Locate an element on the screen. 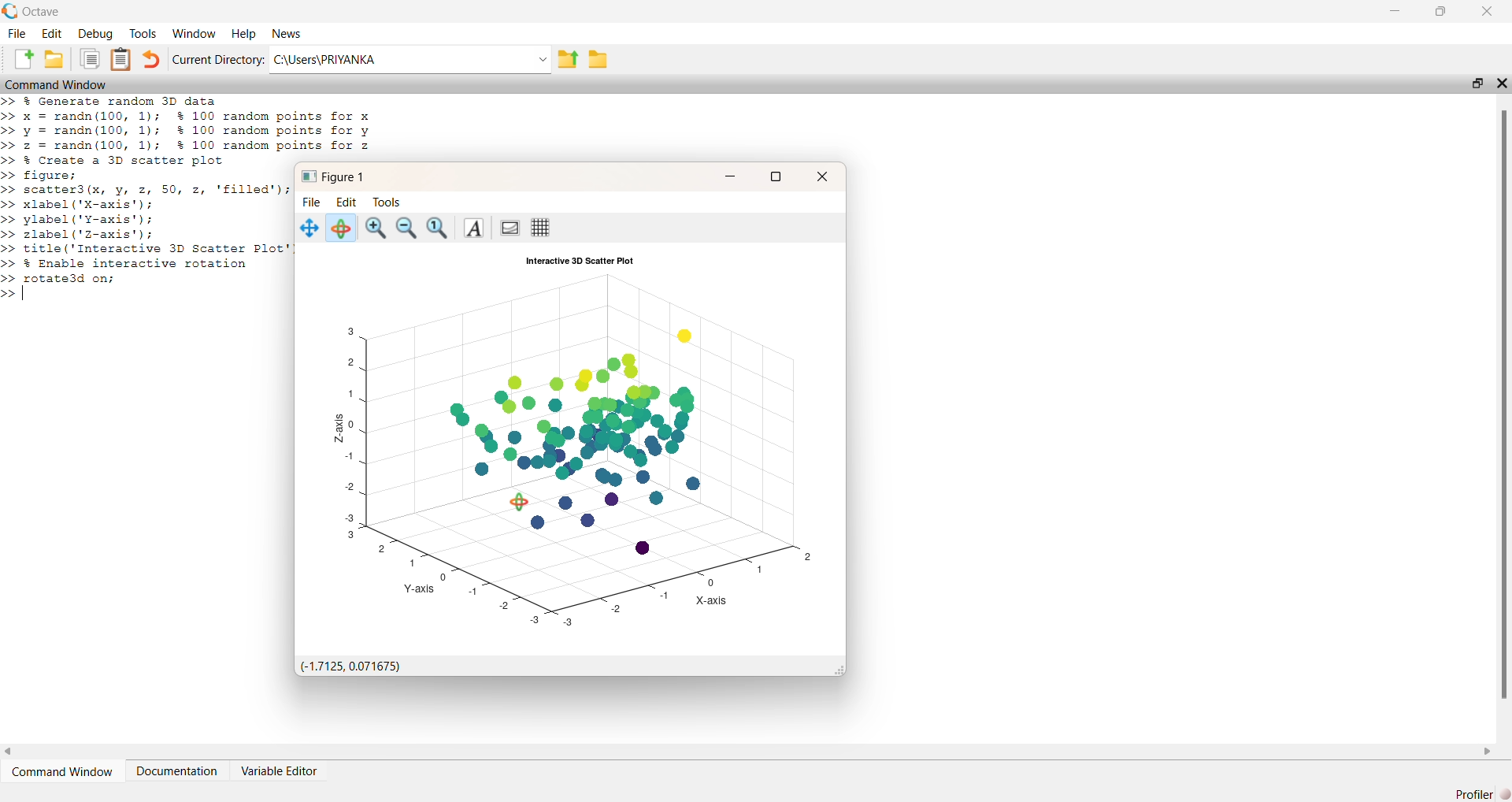  folder is located at coordinates (598, 59).